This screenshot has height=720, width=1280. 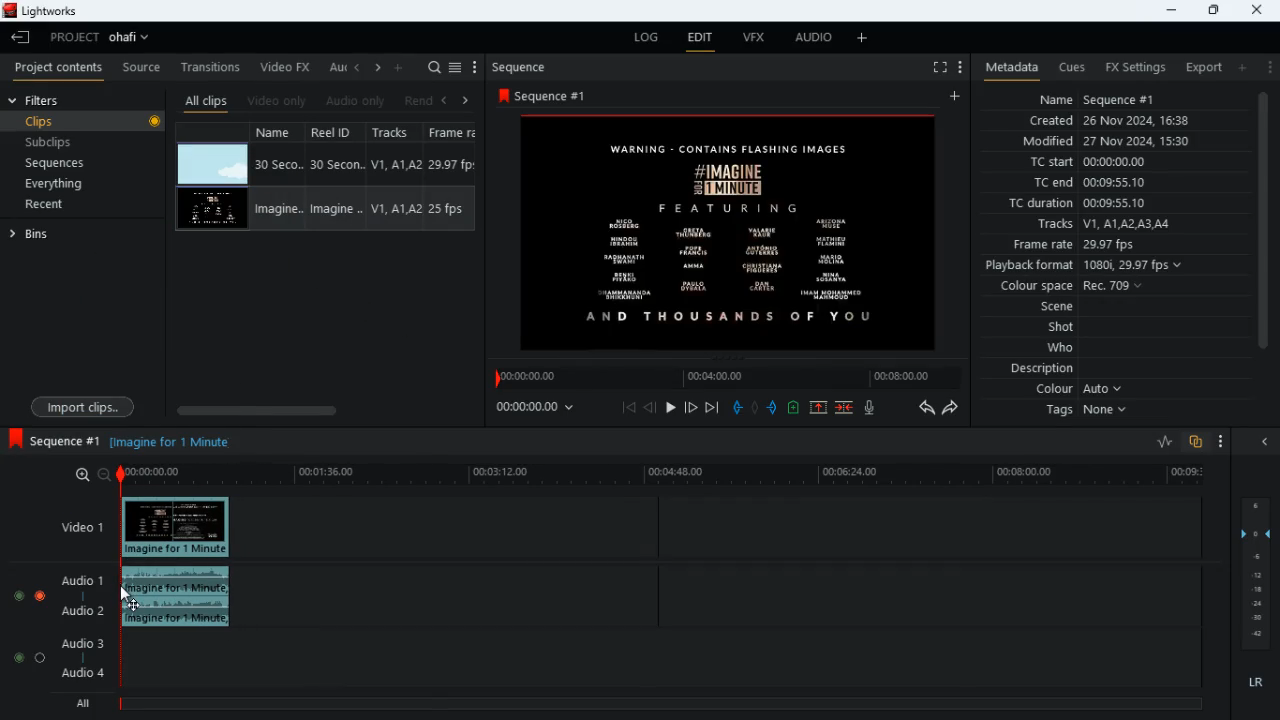 What do you see at coordinates (818, 409) in the screenshot?
I see `up` at bounding box center [818, 409].